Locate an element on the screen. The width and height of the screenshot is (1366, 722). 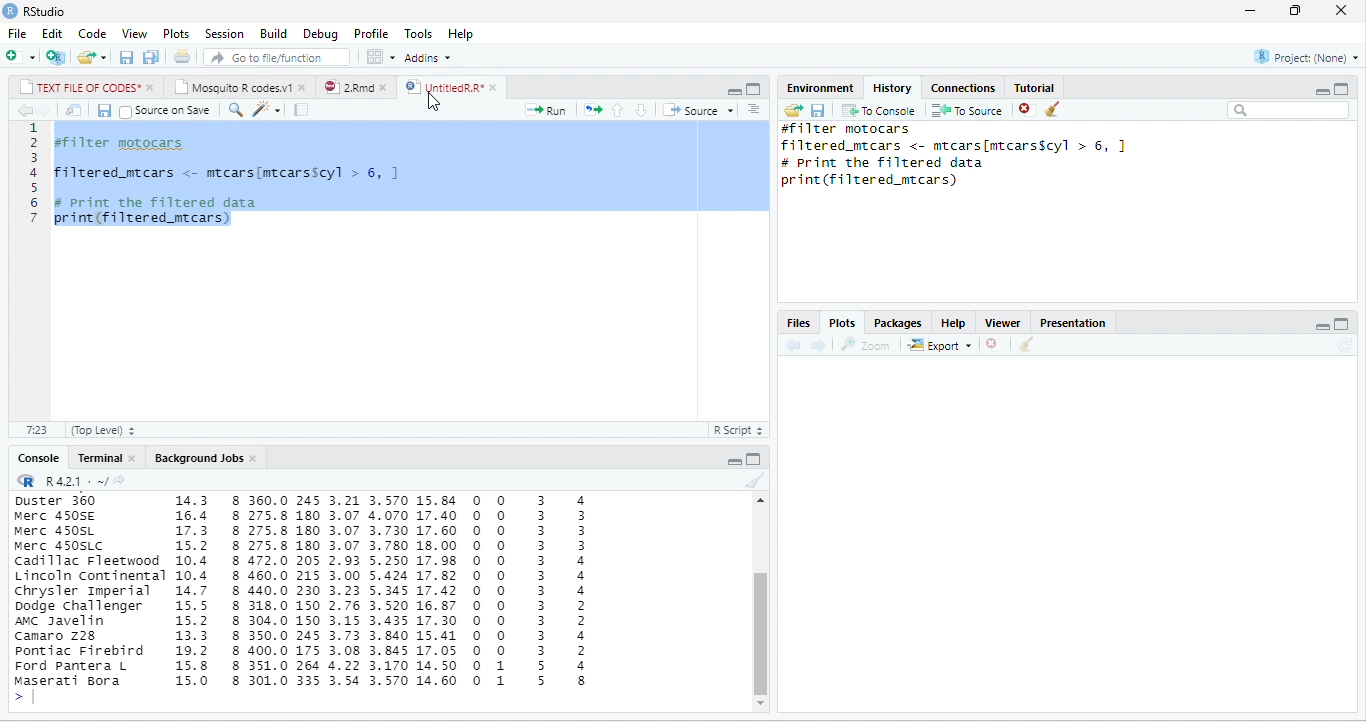
show in new window is located at coordinates (74, 110).